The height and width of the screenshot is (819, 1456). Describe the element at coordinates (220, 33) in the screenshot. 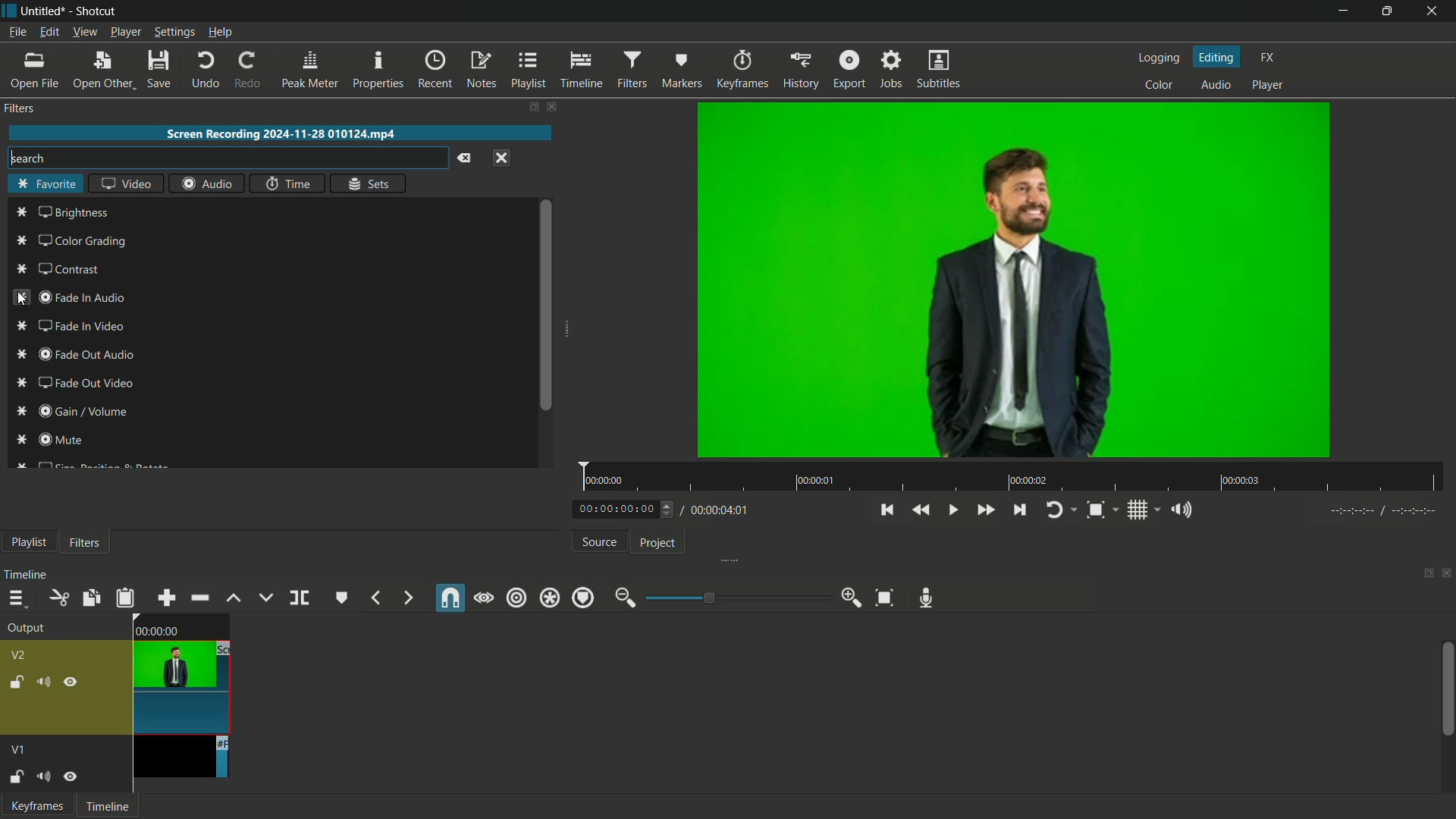

I see `help menu` at that location.